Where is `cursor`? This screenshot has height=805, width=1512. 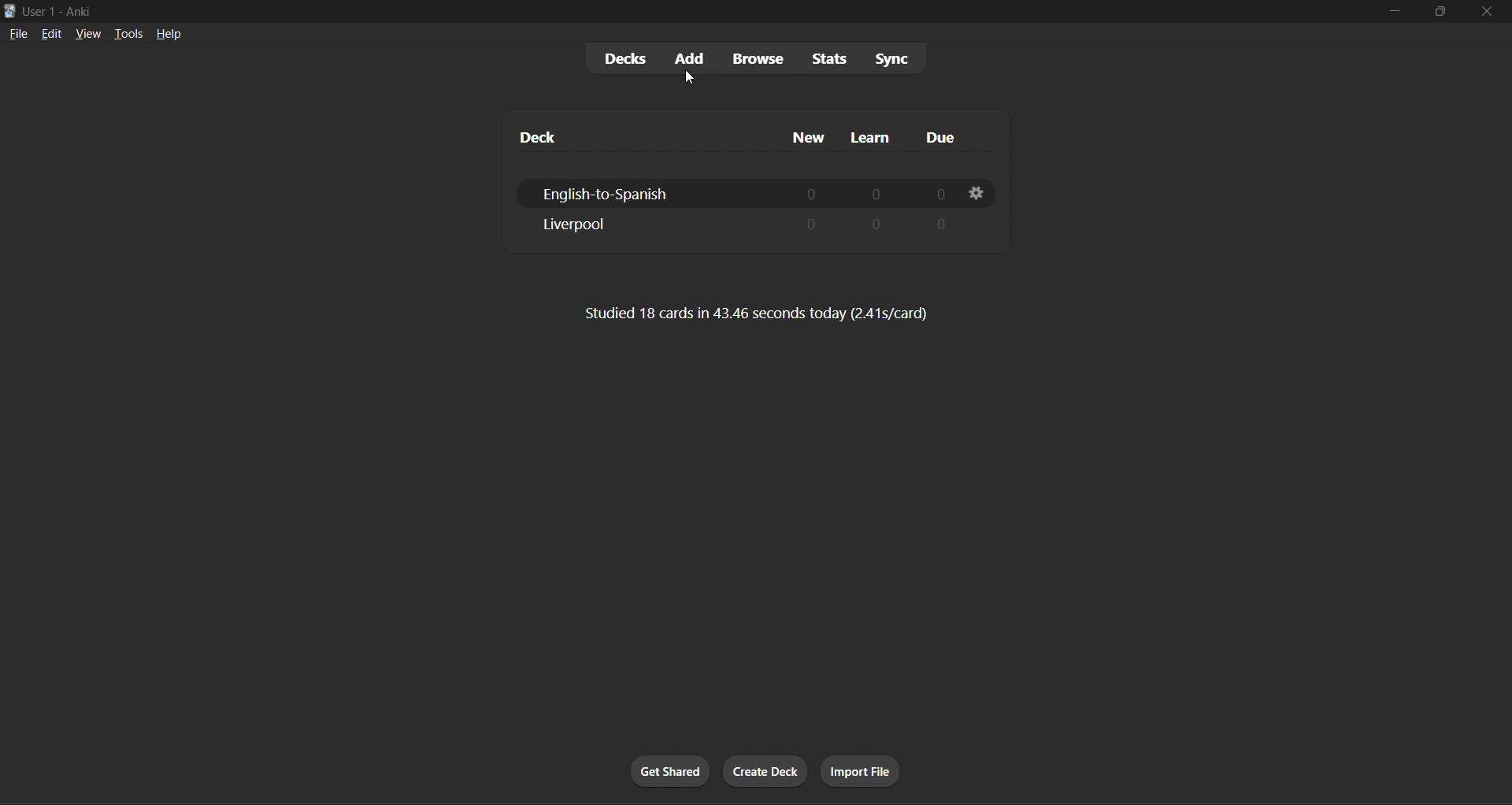 cursor is located at coordinates (691, 78).